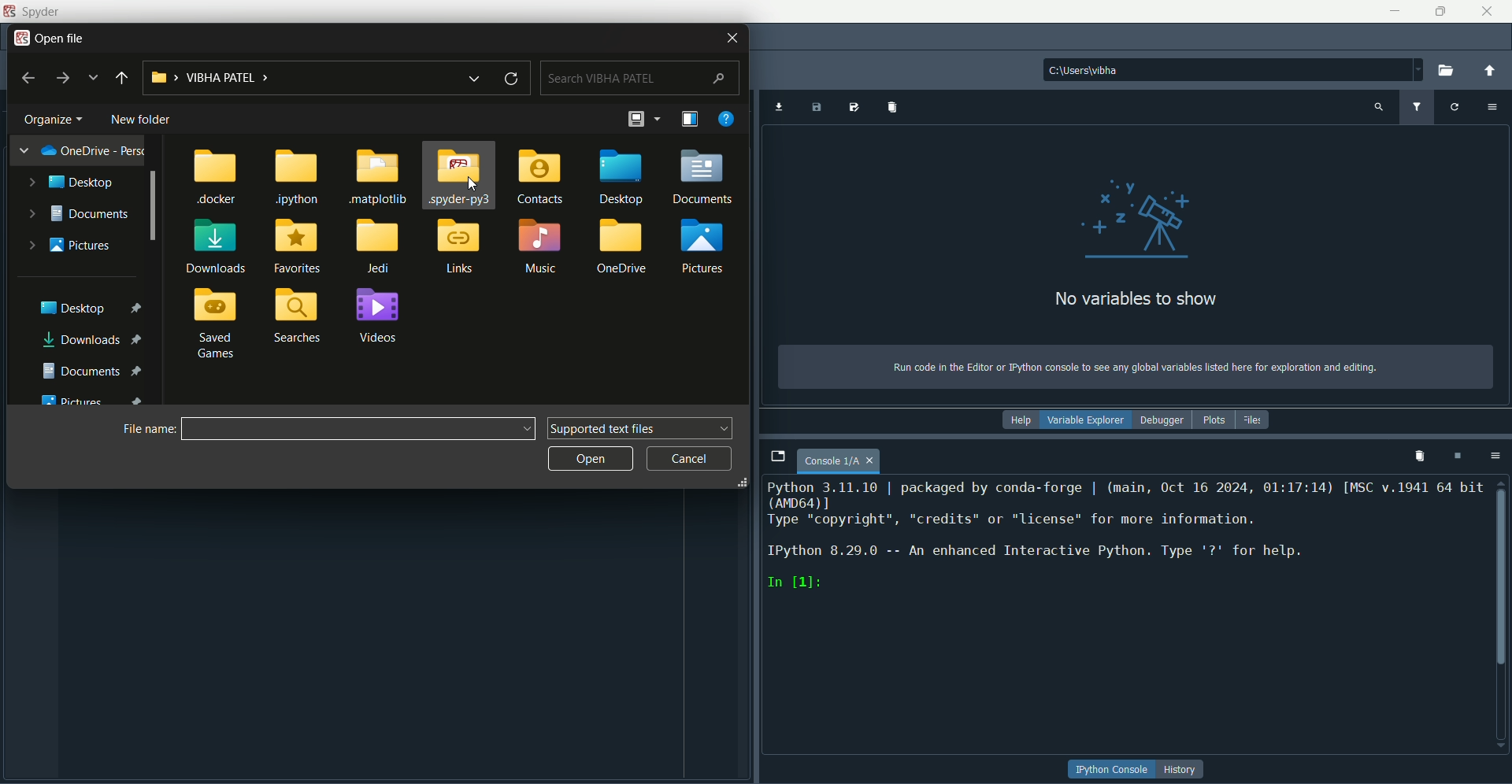 This screenshot has height=784, width=1512. Describe the element at coordinates (1136, 217) in the screenshot. I see `graphics` at that location.